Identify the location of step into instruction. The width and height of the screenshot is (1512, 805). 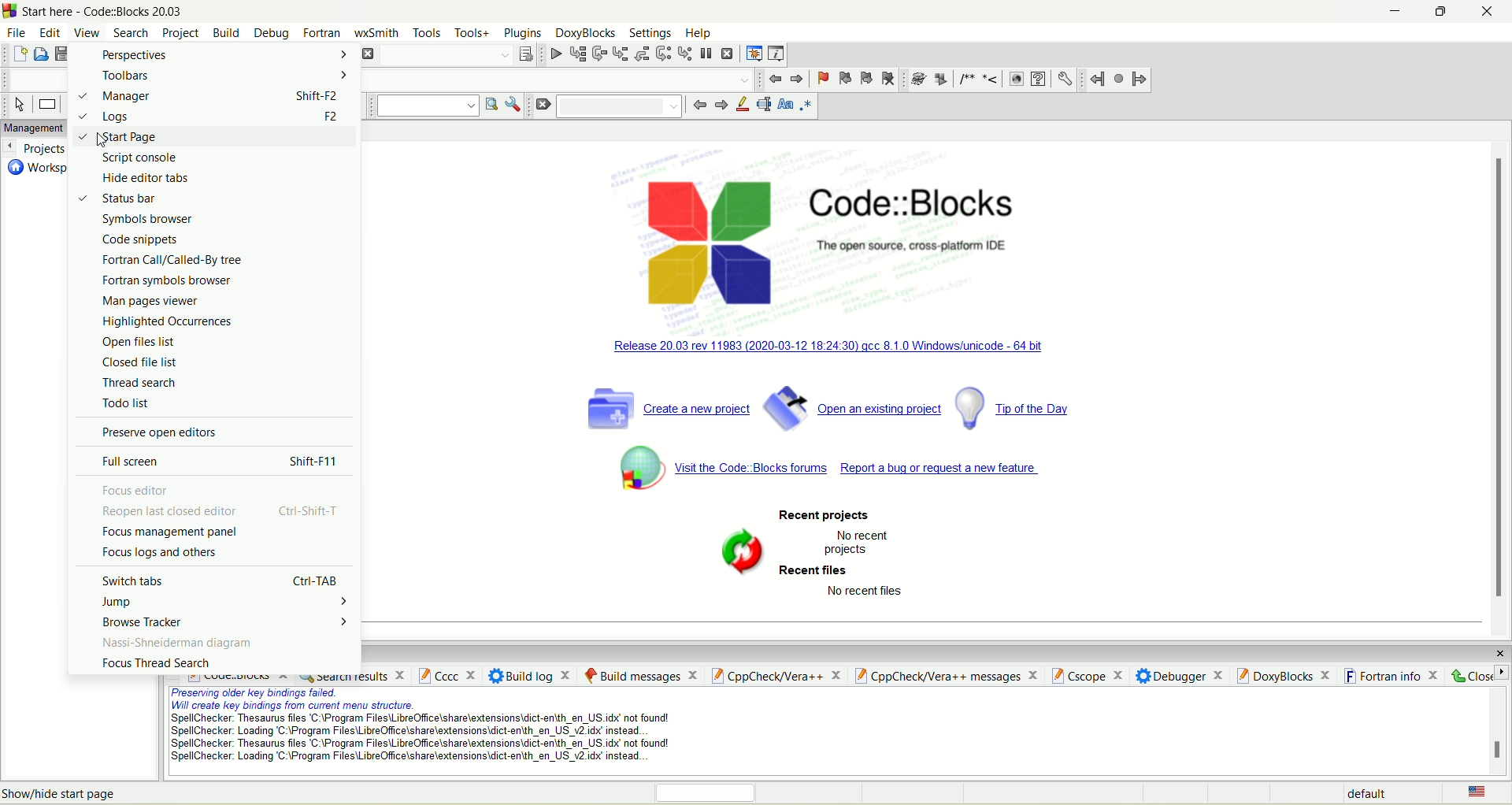
(684, 54).